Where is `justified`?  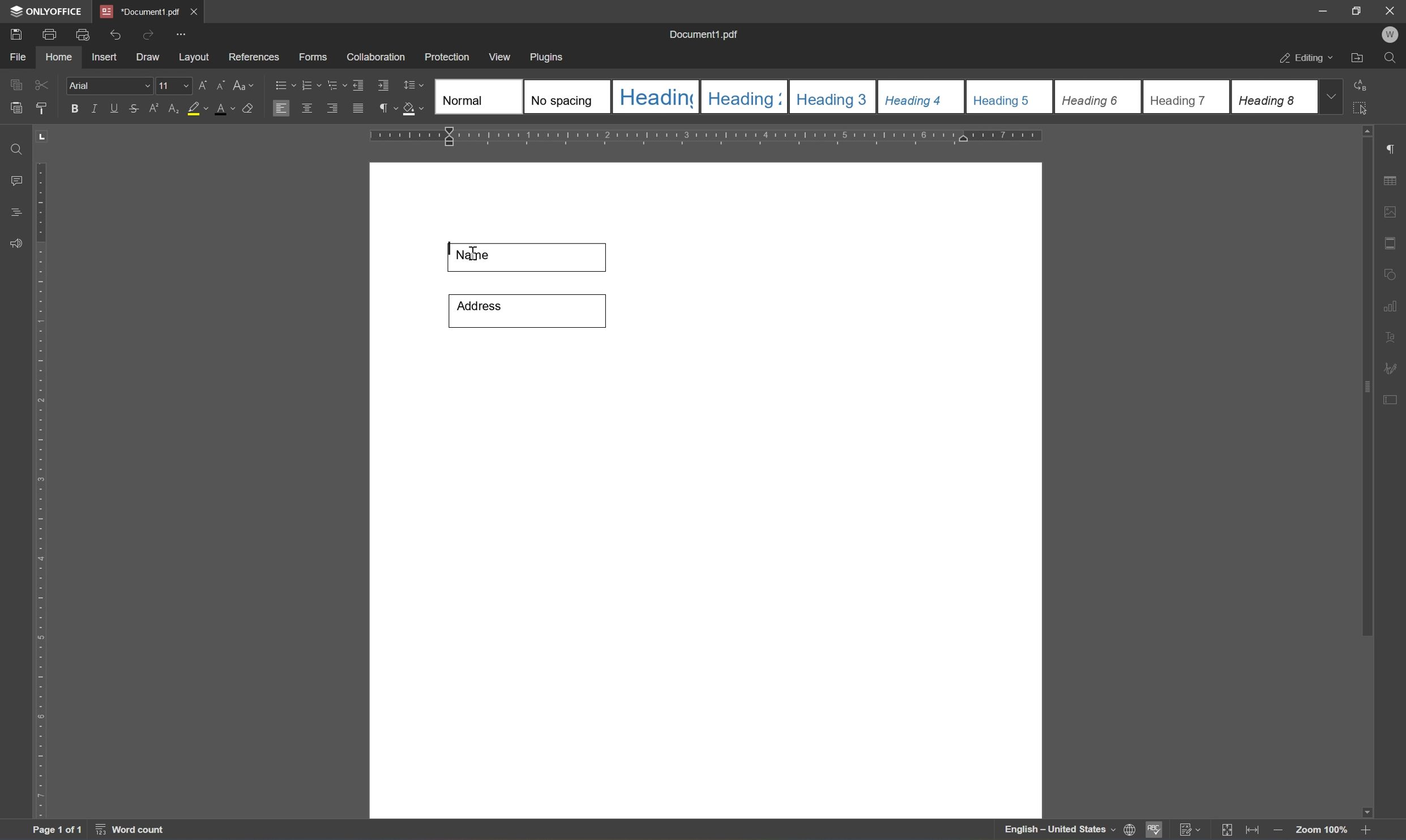
justified is located at coordinates (358, 108).